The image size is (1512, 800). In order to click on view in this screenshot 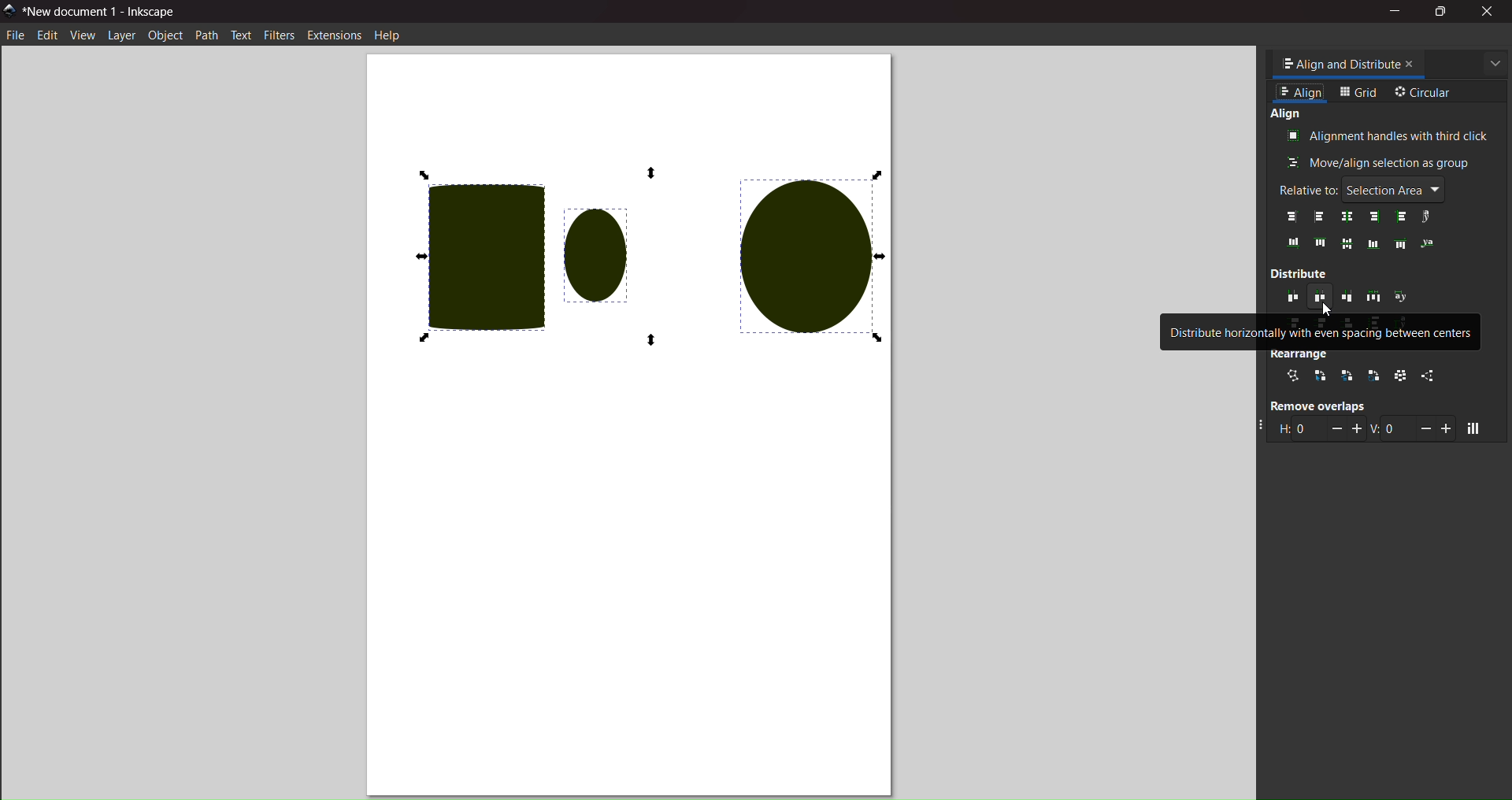, I will do `click(82, 36)`.